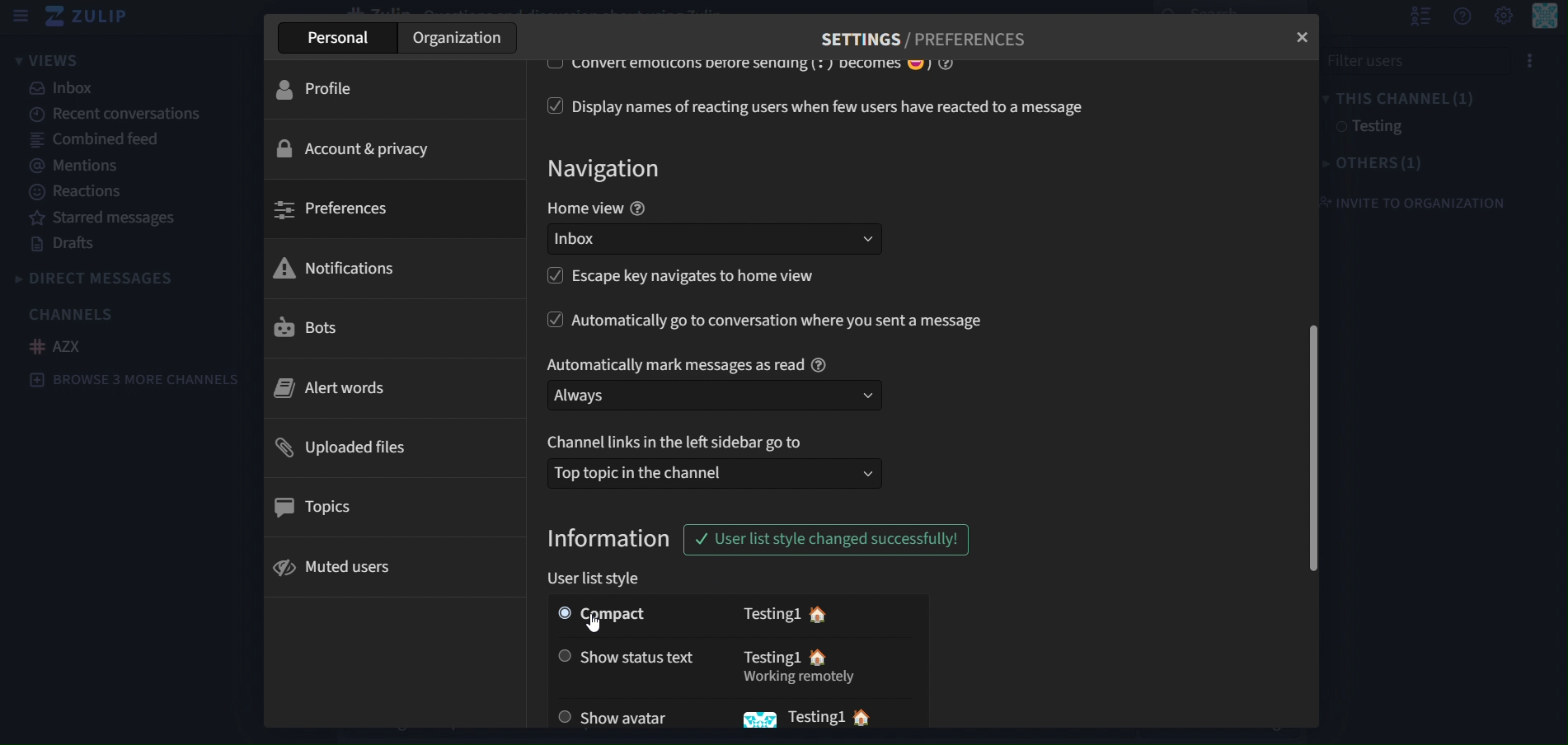  I want to click on Icon, so click(753, 722).